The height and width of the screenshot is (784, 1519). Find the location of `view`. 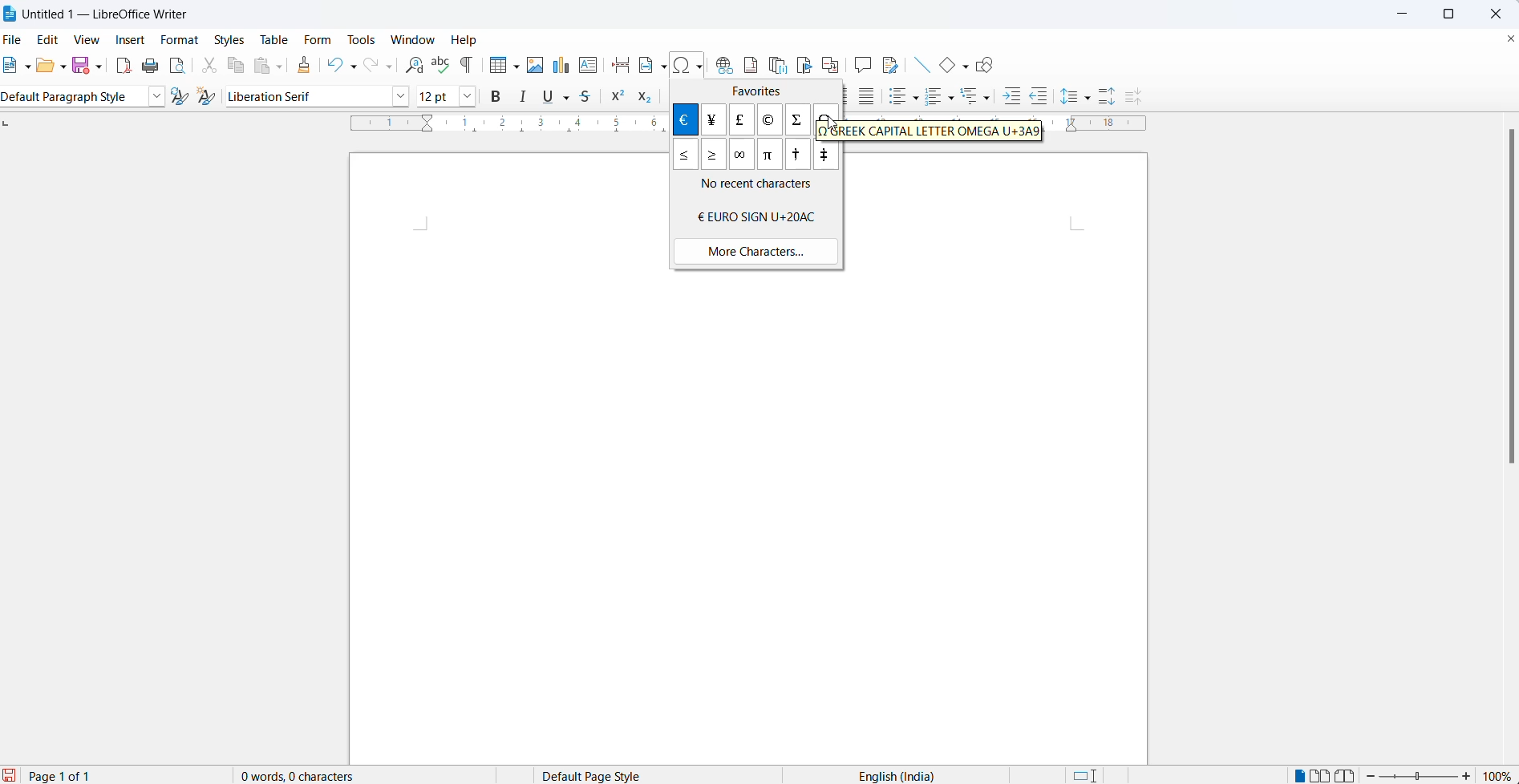

view is located at coordinates (91, 40).